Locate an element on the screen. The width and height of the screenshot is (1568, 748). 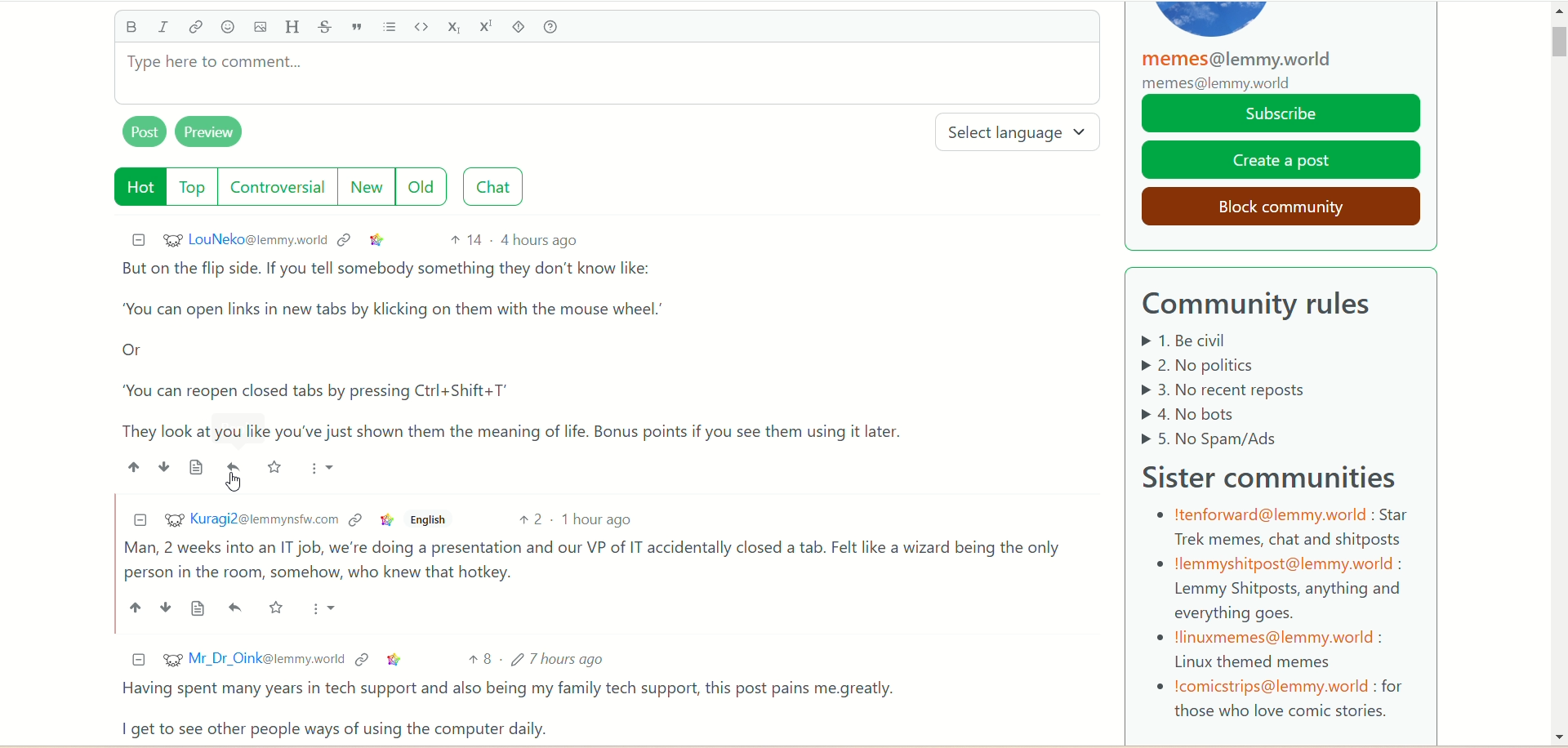
type comment here is located at coordinates (605, 80).